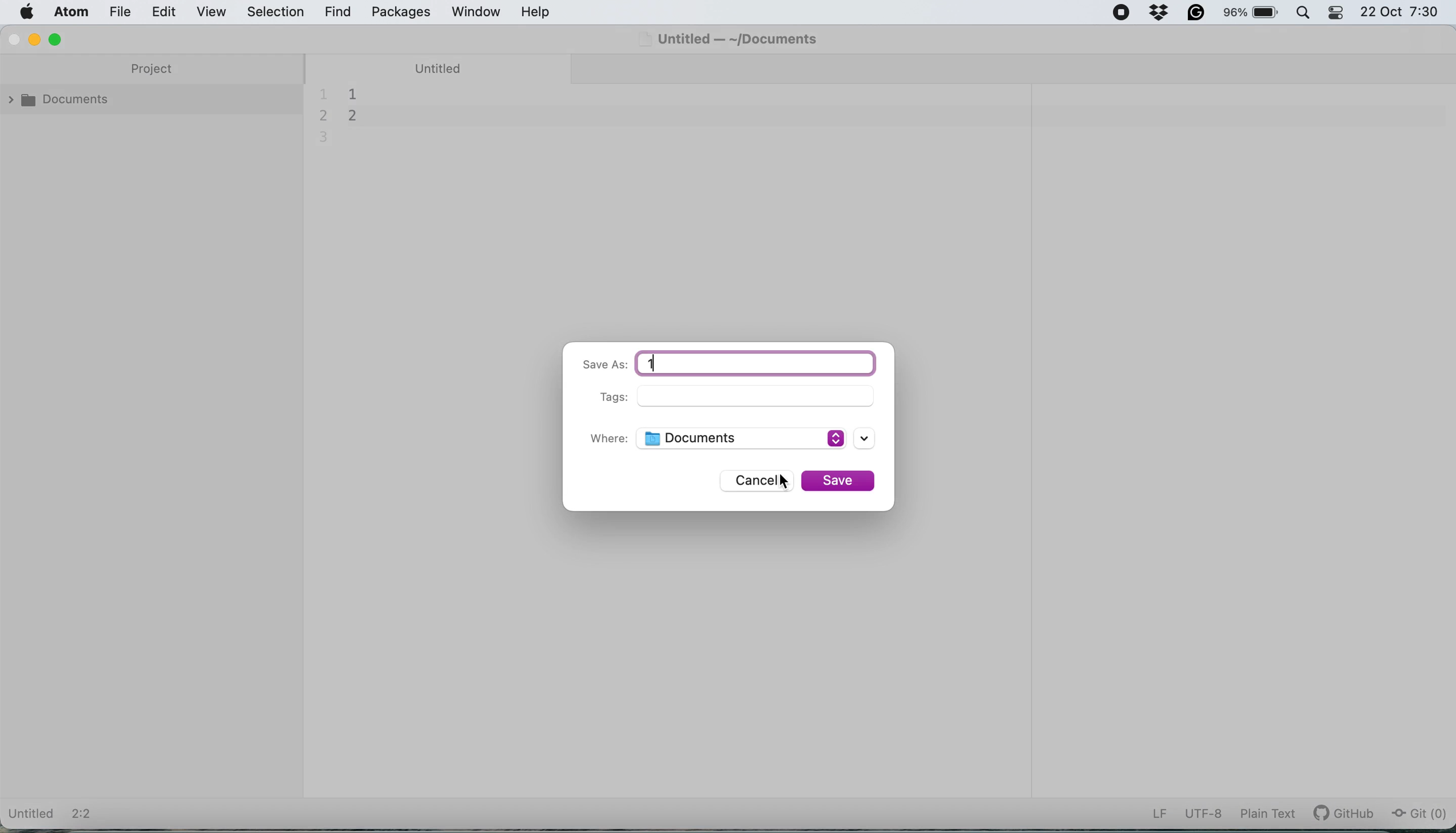 The width and height of the screenshot is (1456, 833). What do you see at coordinates (153, 70) in the screenshot?
I see `project` at bounding box center [153, 70].